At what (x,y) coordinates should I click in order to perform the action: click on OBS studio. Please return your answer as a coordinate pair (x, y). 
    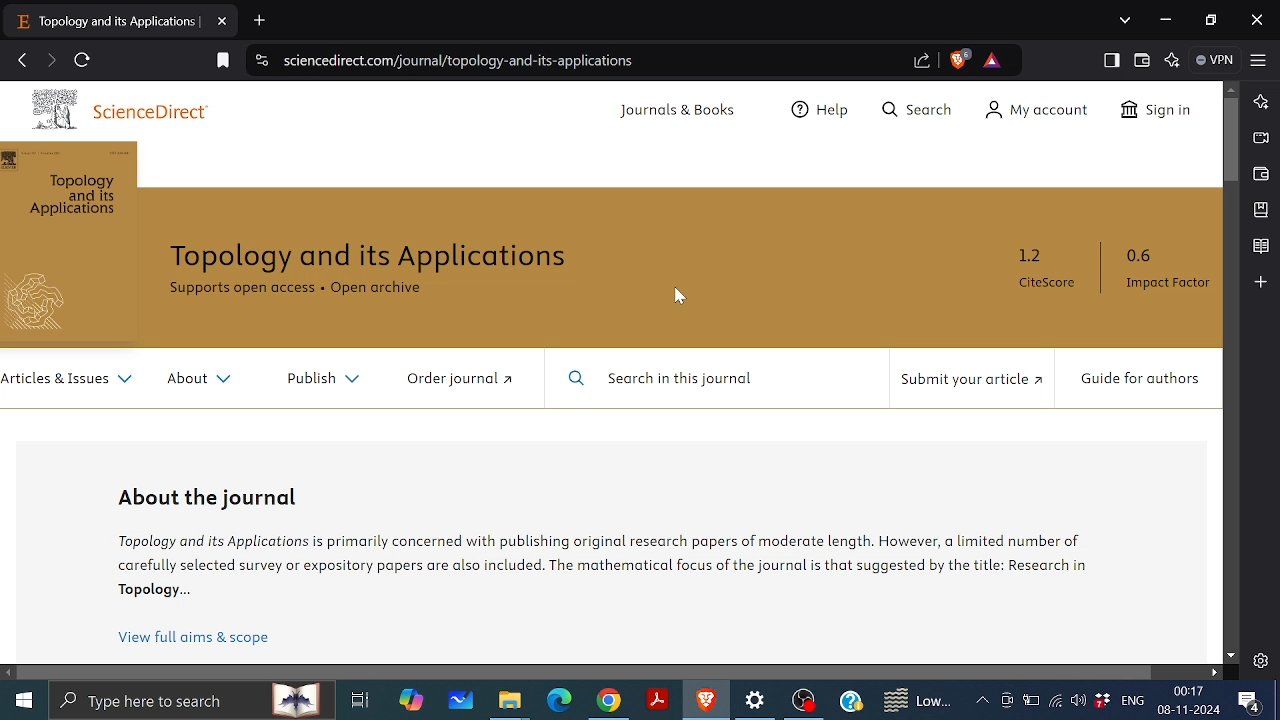
    Looking at the image, I should click on (805, 701).